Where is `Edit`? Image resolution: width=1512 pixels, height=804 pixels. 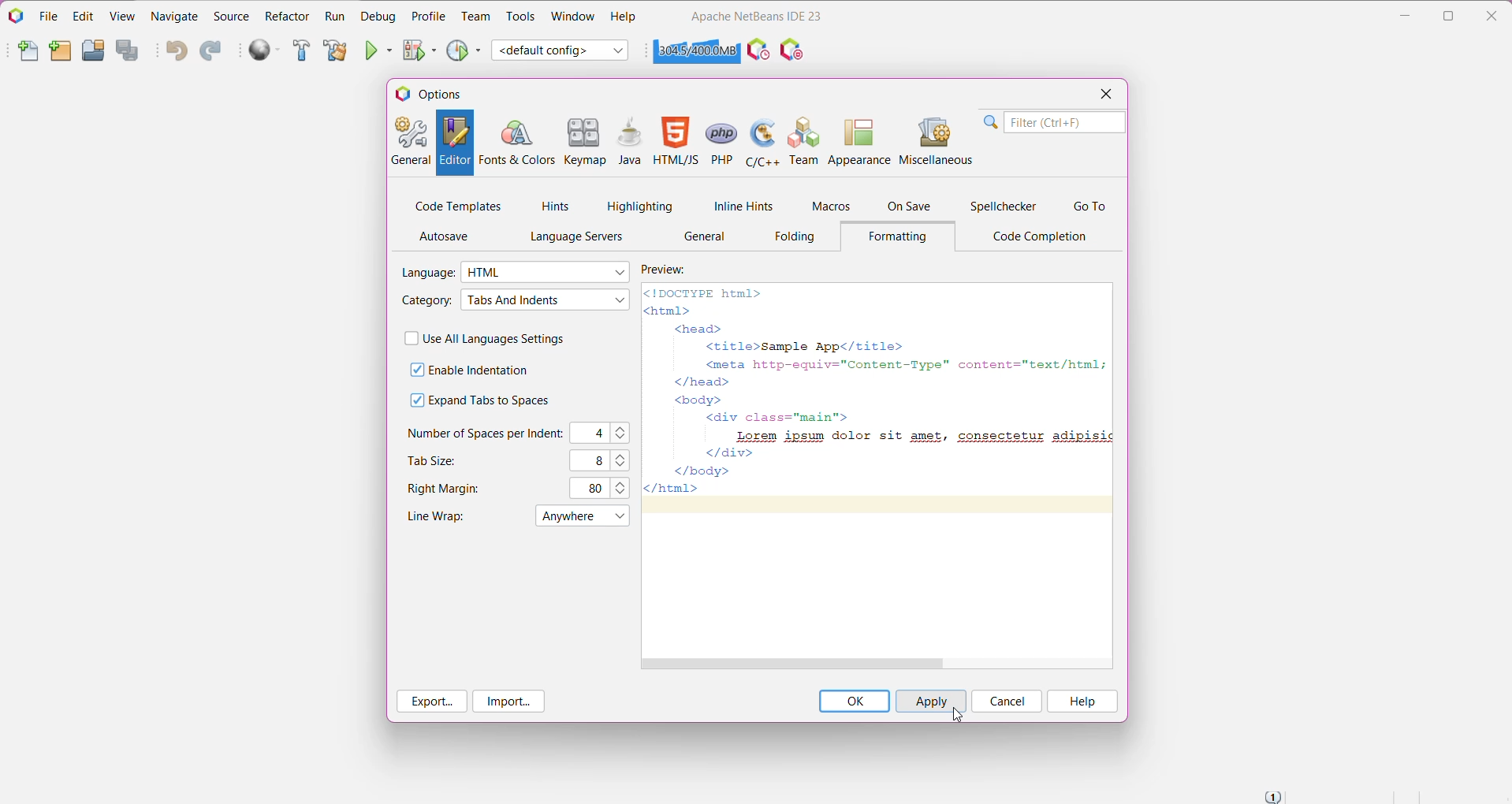 Edit is located at coordinates (81, 16).